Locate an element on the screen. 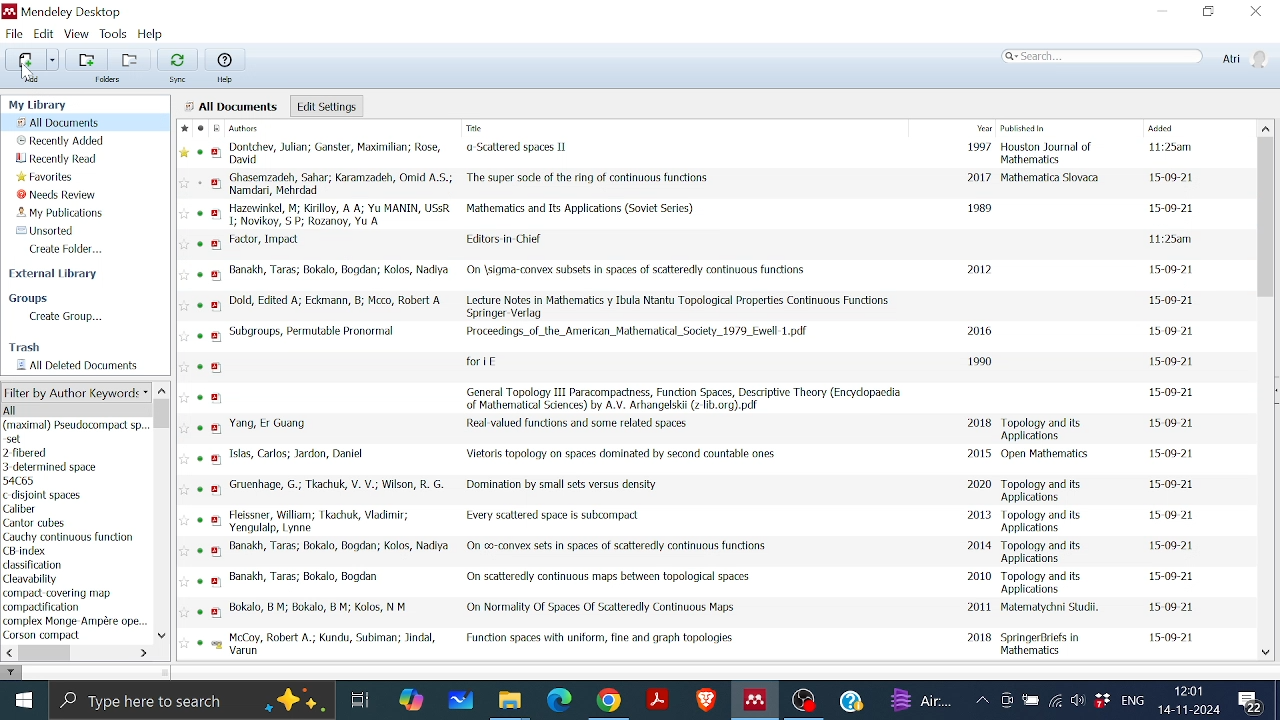  Title is located at coordinates (576, 424).